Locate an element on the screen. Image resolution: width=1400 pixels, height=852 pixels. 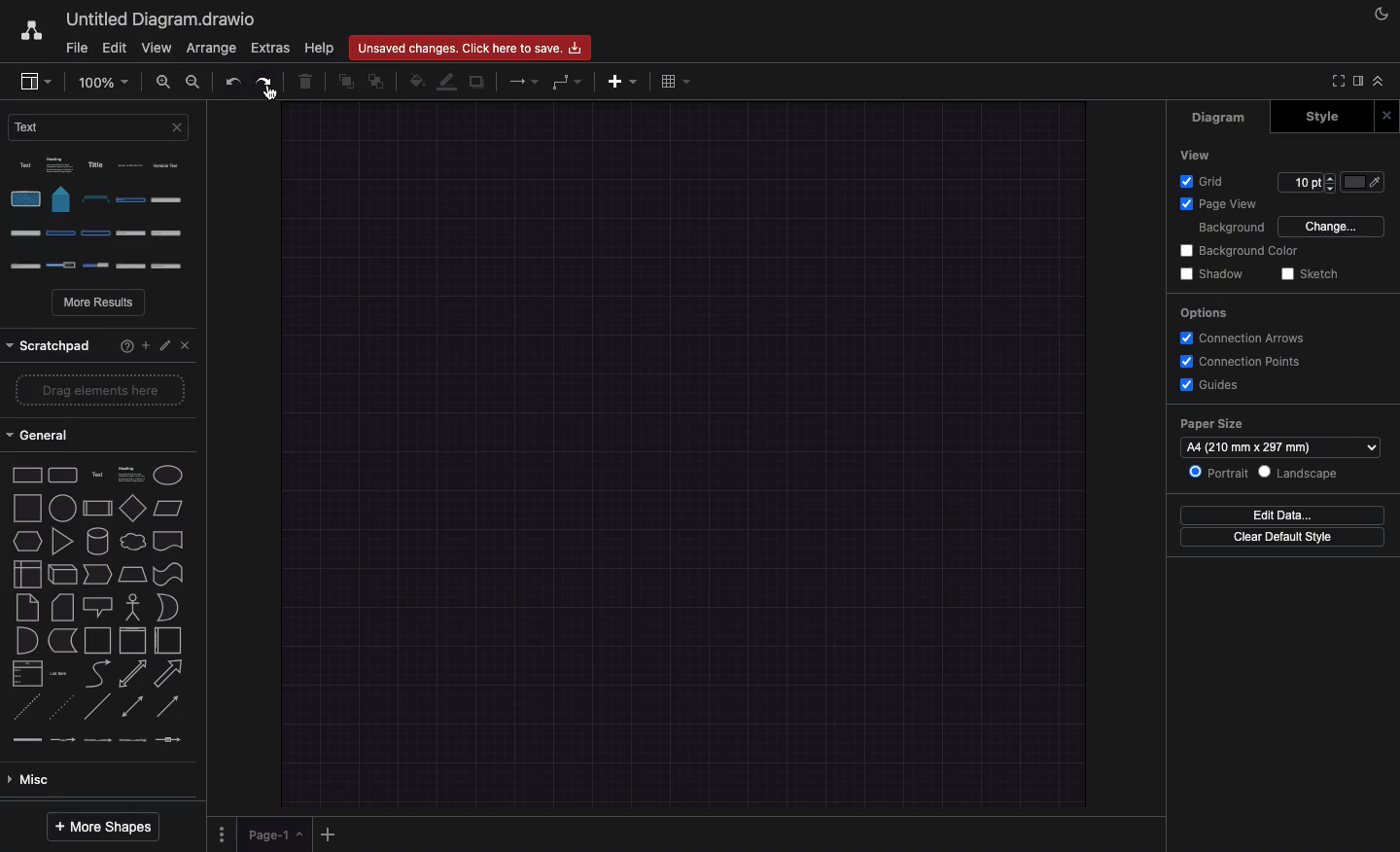
Collapse is located at coordinates (1383, 83).